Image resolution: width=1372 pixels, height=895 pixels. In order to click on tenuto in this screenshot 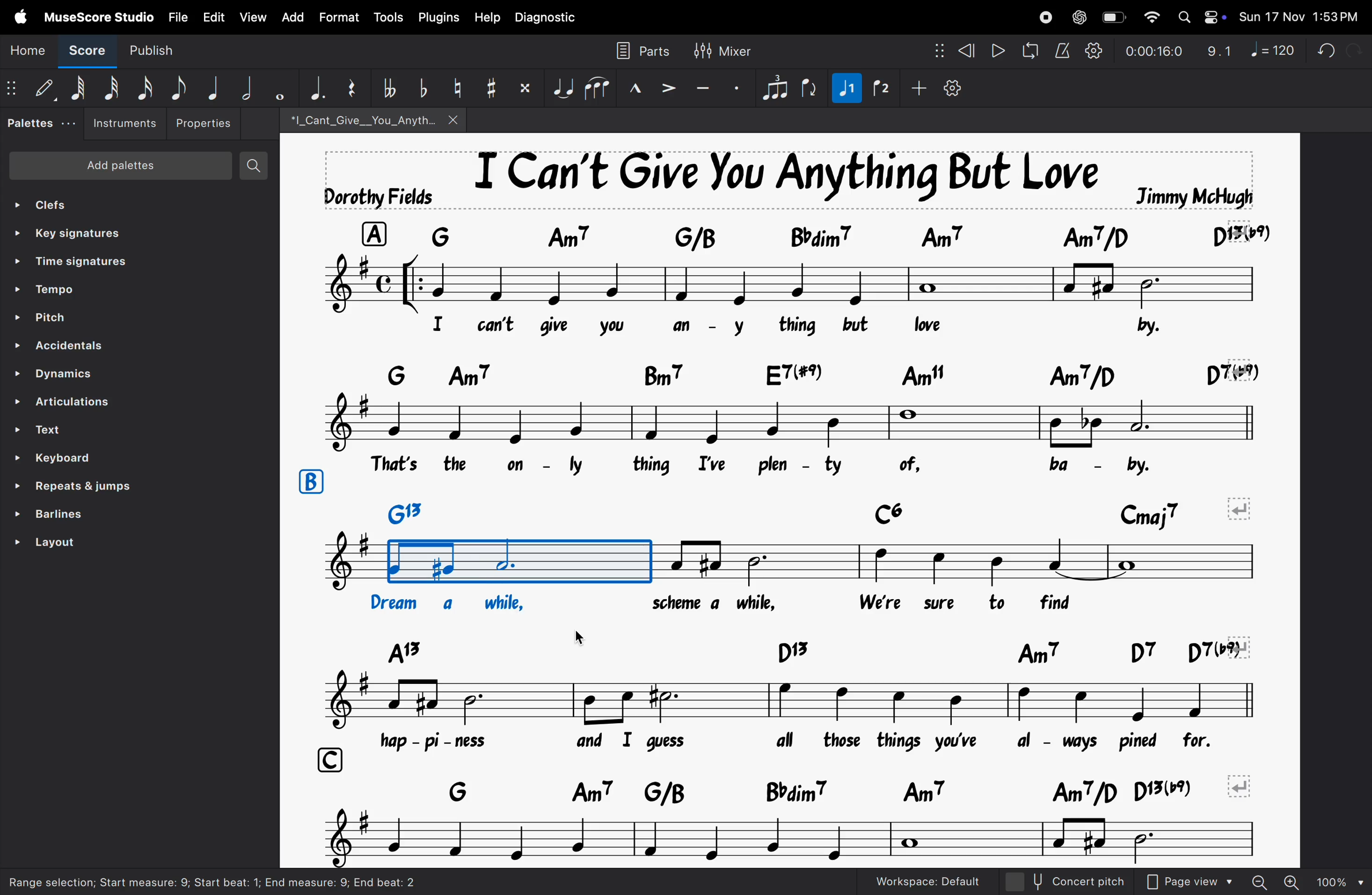, I will do `click(705, 85)`.